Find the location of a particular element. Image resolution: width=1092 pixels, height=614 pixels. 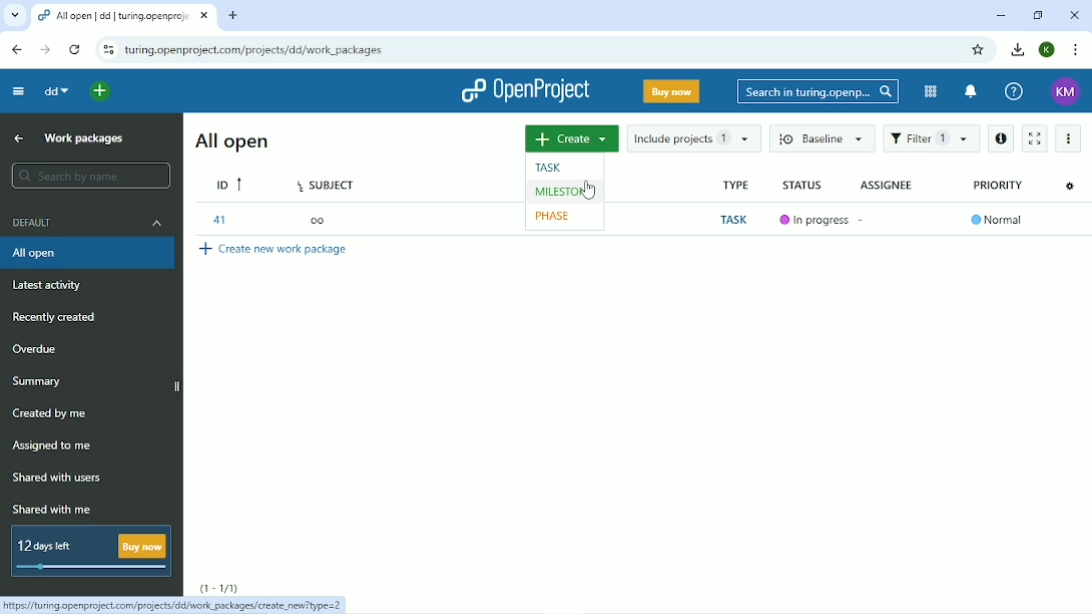

12 days left is located at coordinates (92, 553).